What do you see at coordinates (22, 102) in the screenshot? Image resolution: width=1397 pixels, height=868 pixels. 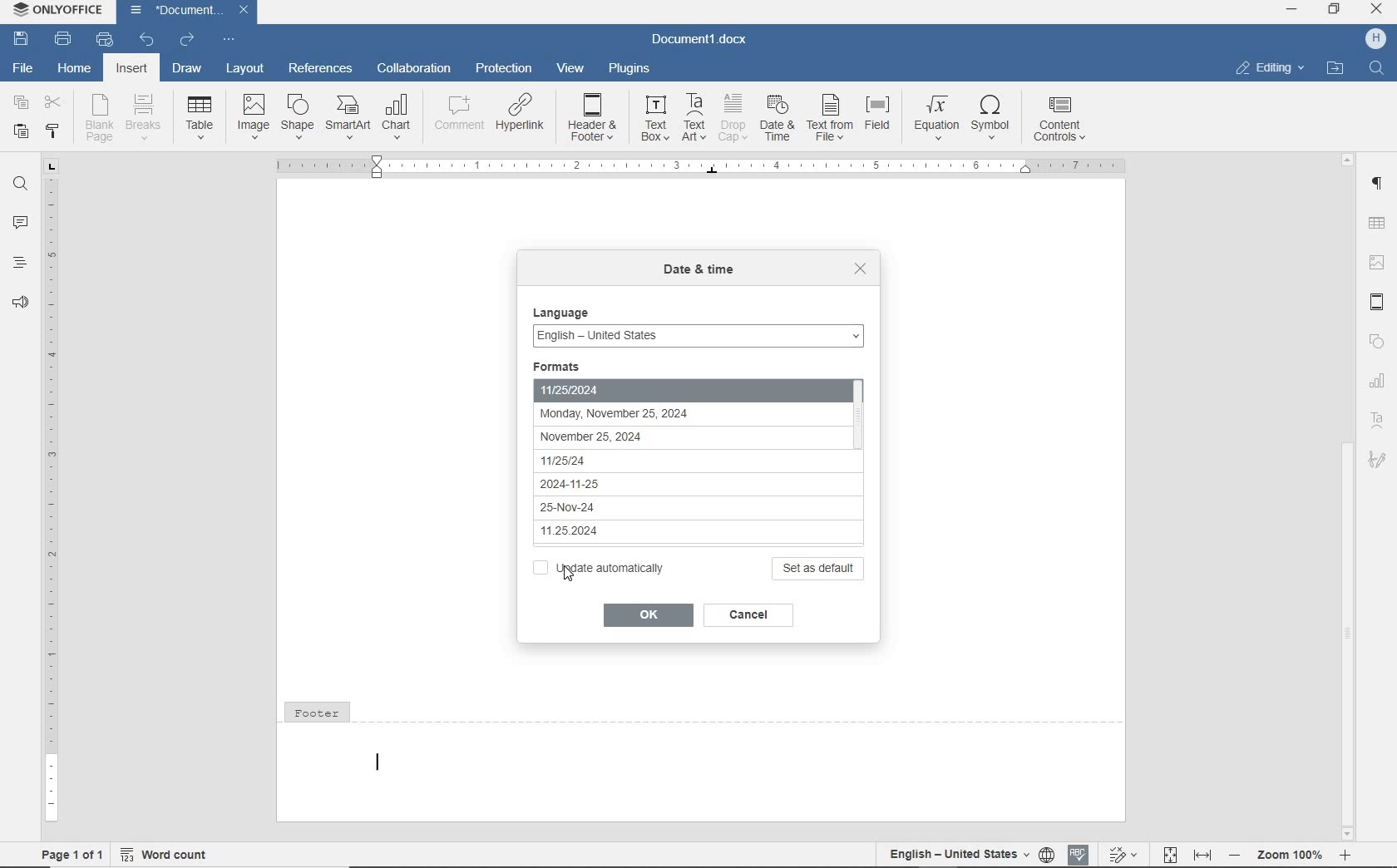 I see `copy` at bounding box center [22, 102].